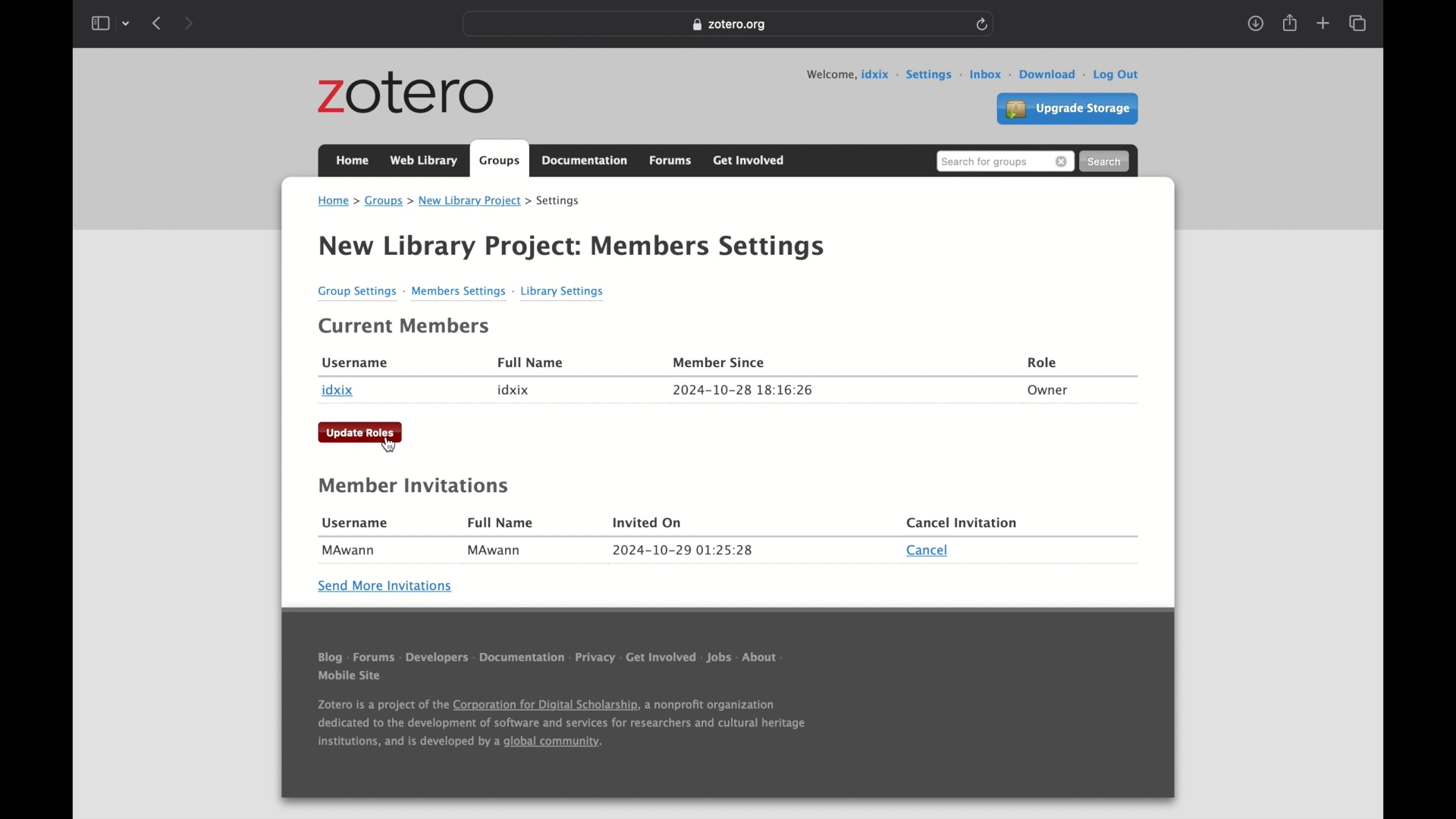 This screenshot has width=1456, height=819. What do you see at coordinates (648, 524) in the screenshot?
I see `invited on` at bounding box center [648, 524].